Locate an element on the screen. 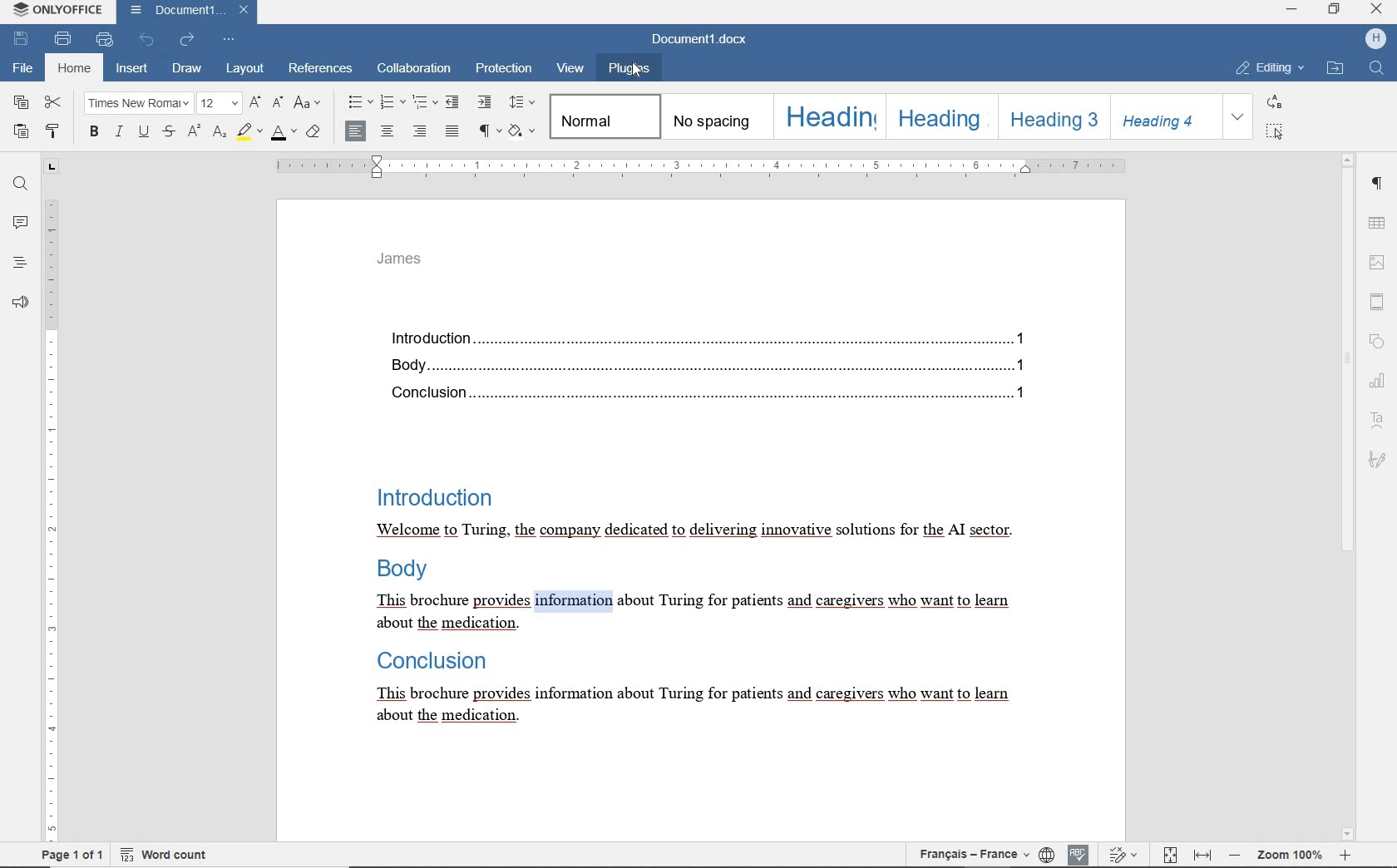 The width and height of the screenshot is (1397, 868). REDO is located at coordinates (188, 41).